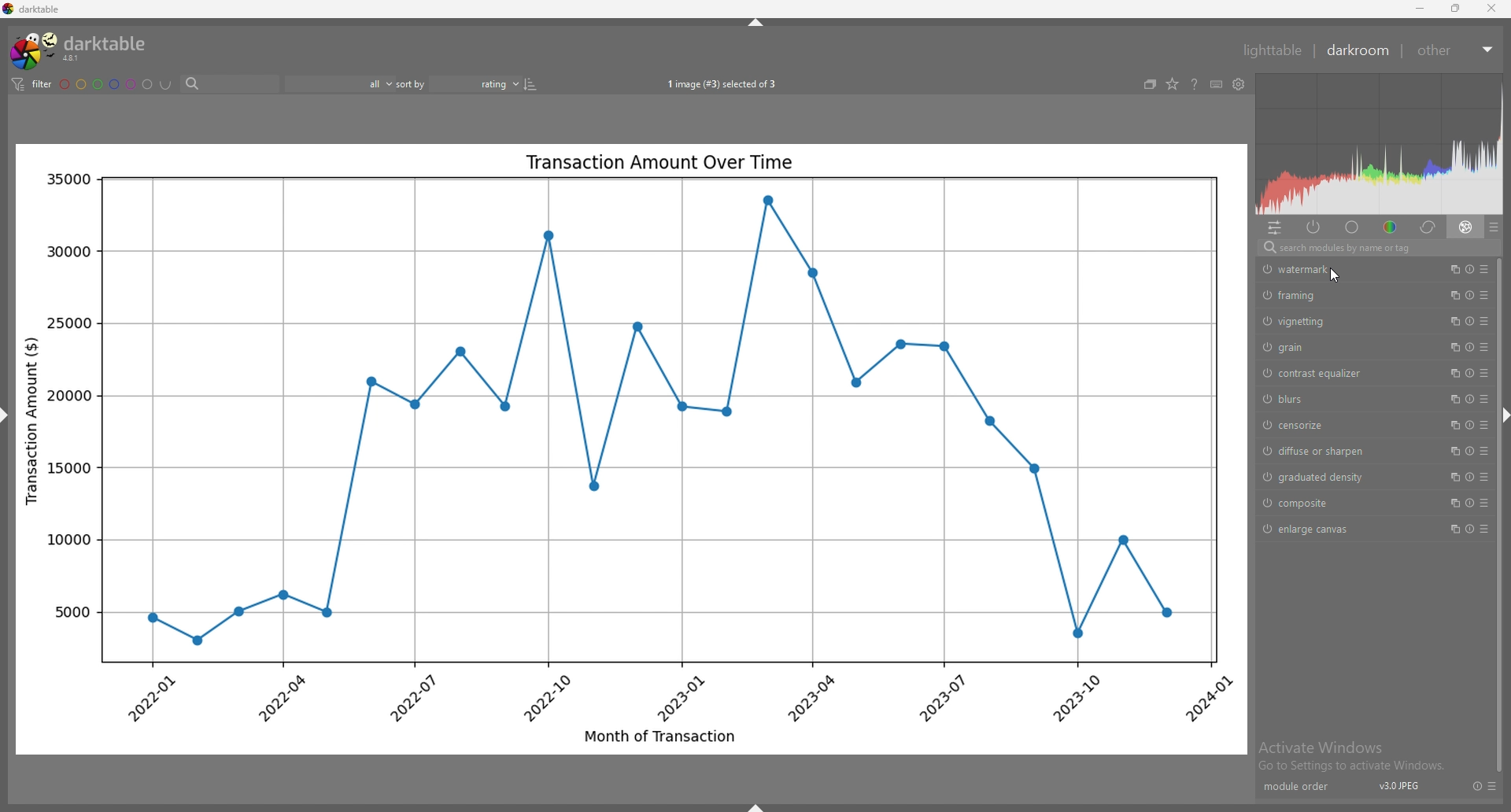 This screenshot has width=1511, height=812. Describe the element at coordinates (1238, 84) in the screenshot. I see `show global preferences` at that location.